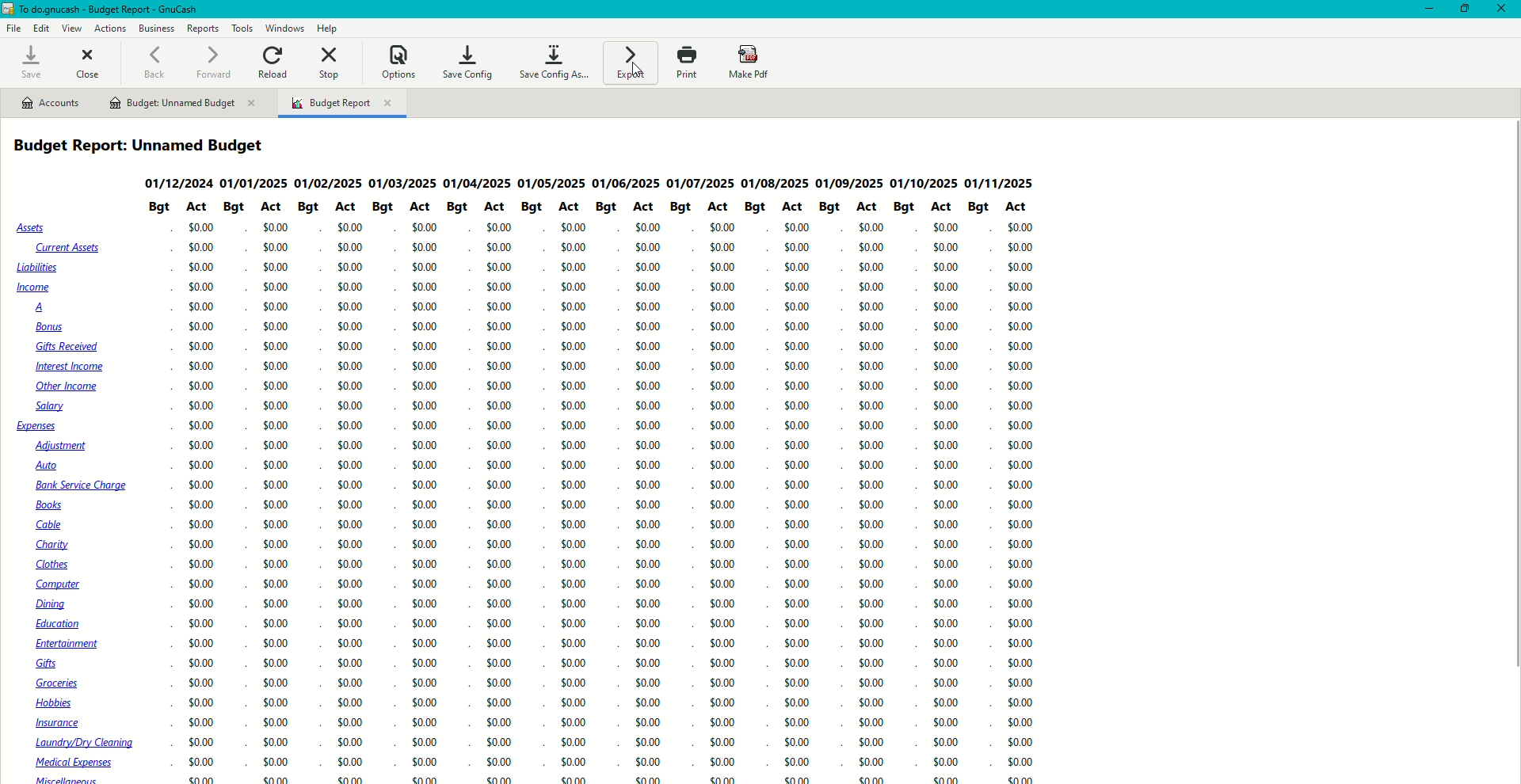 Image resolution: width=1521 pixels, height=784 pixels. What do you see at coordinates (42, 29) in the screenshot?
I see `Edit` at bounding box center [42, 29].